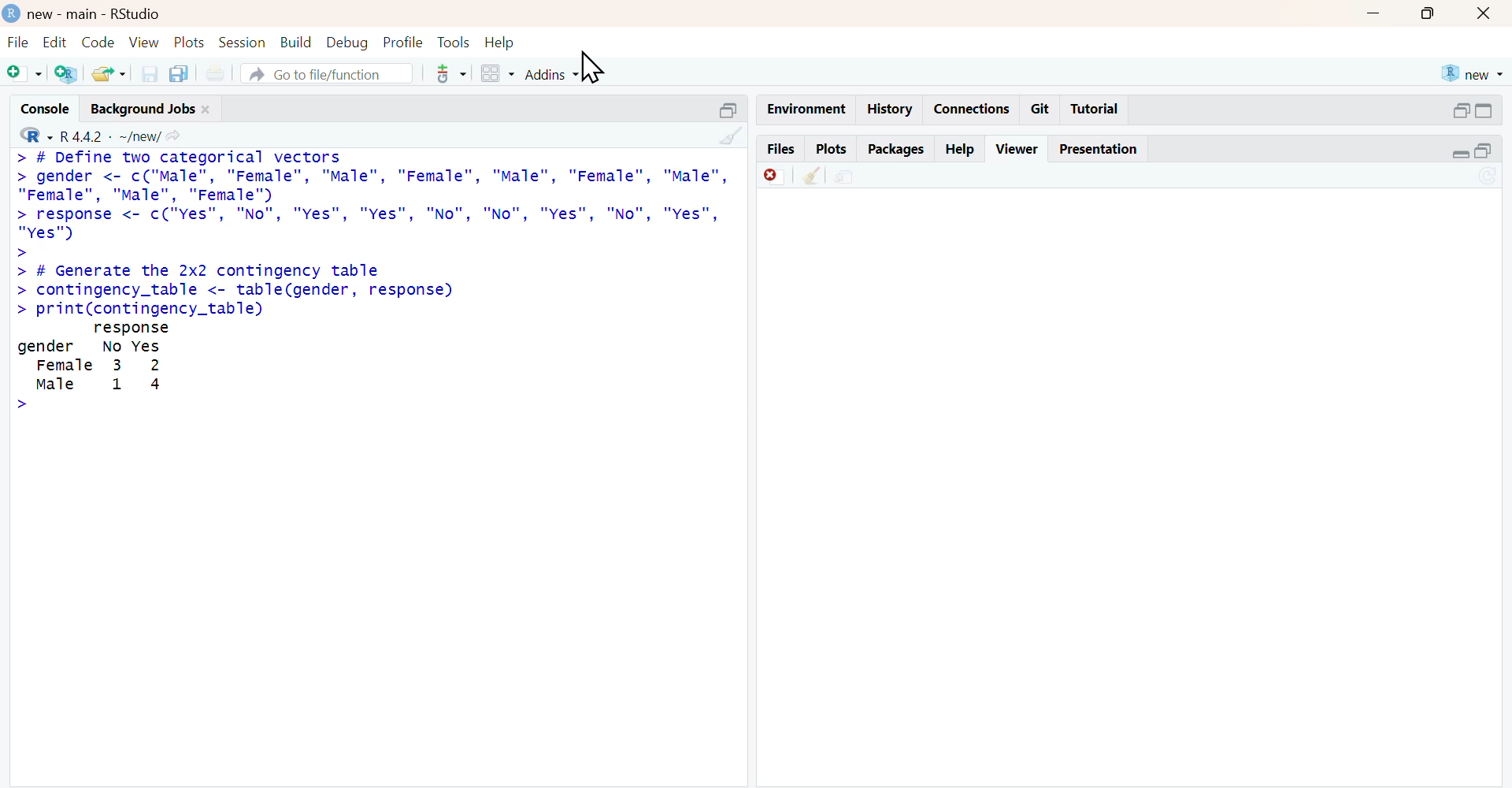 The height and width of the screenshot is (788, 1512). What do you see at coordinates (243, 43) in the screenshot?
I see `session` at bounding box center [243, 43].